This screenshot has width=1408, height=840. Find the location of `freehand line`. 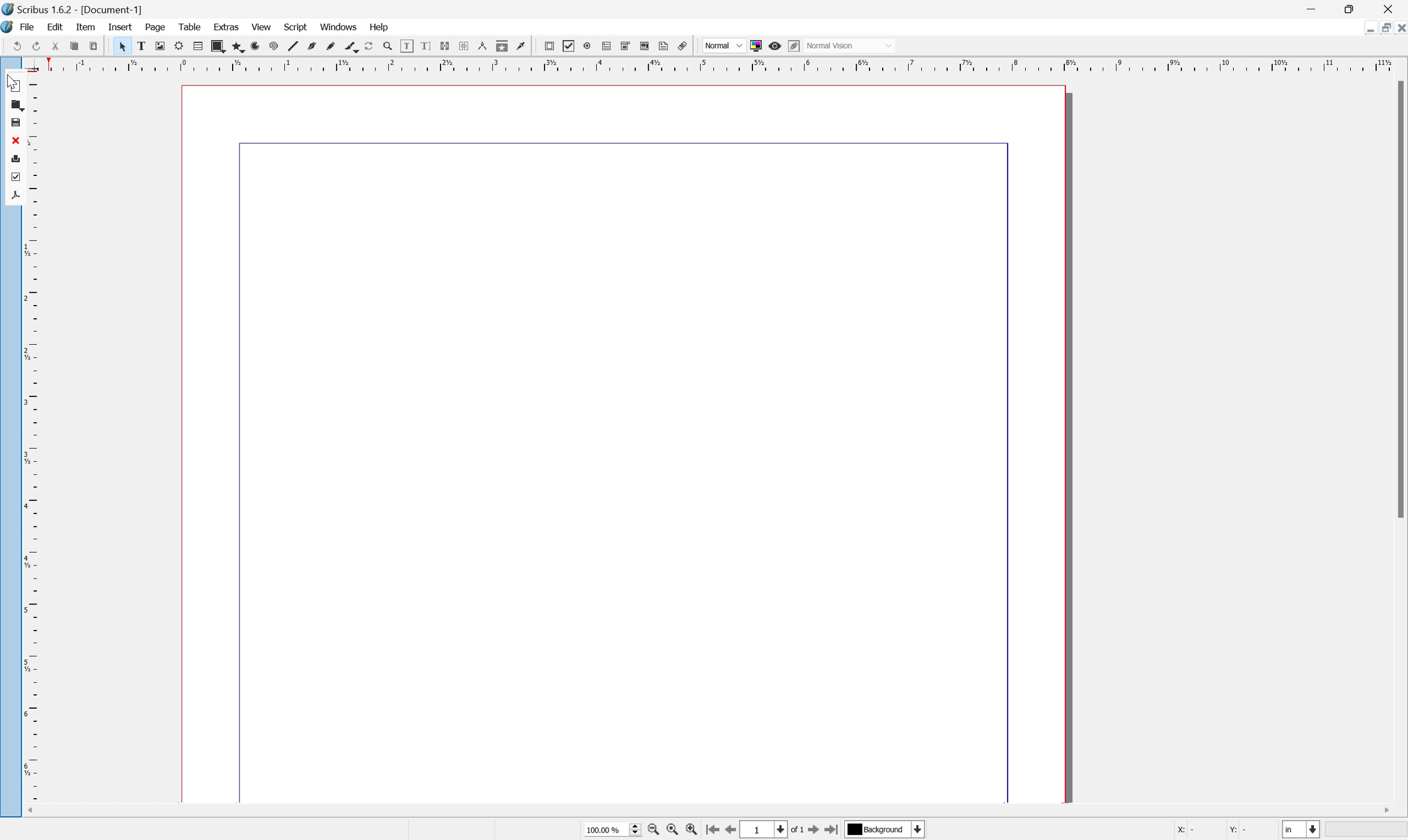

freehand line is located at coordinates (463, 45).